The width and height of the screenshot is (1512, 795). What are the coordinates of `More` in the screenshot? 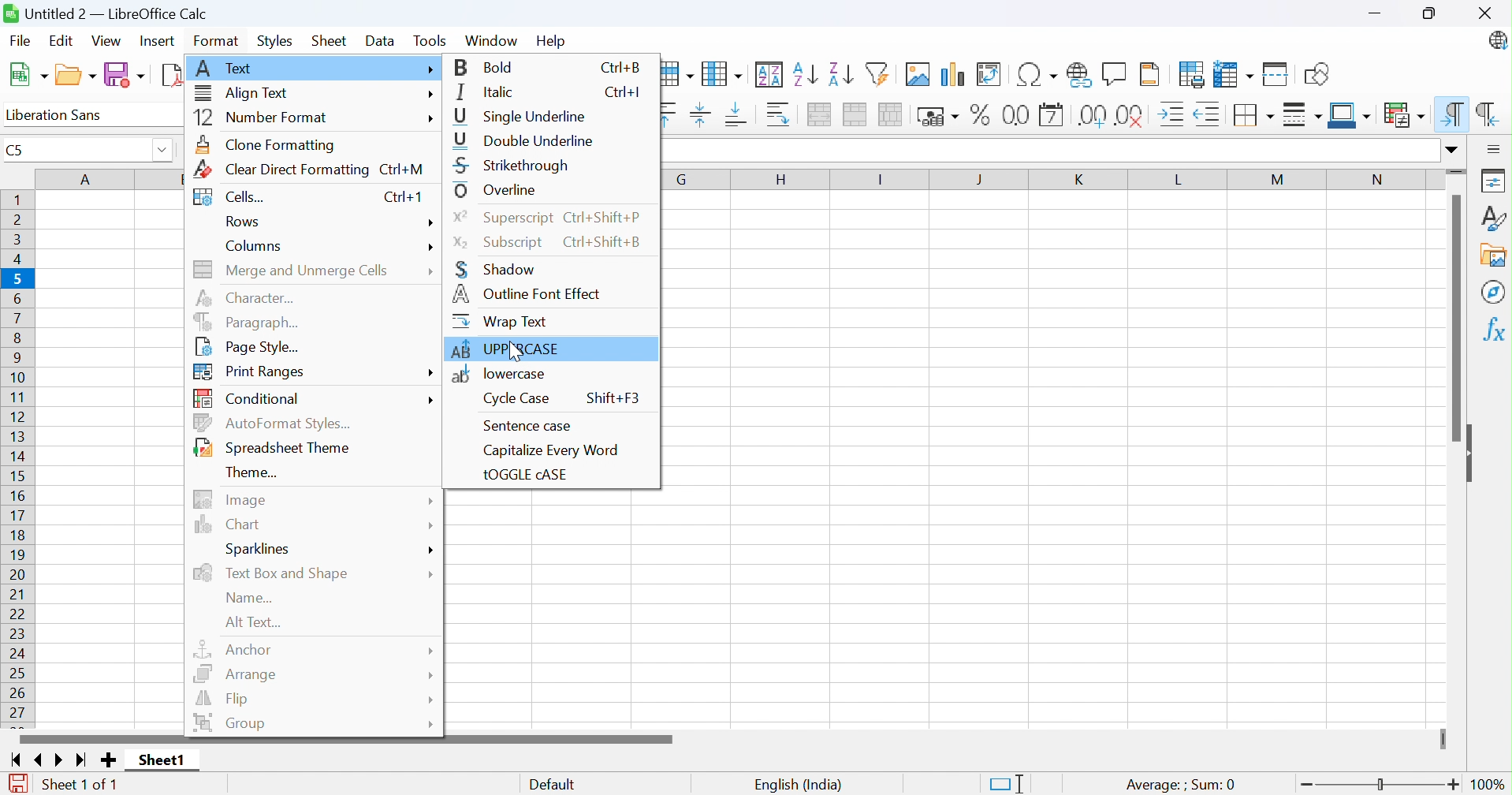 It's located at (427, 674).